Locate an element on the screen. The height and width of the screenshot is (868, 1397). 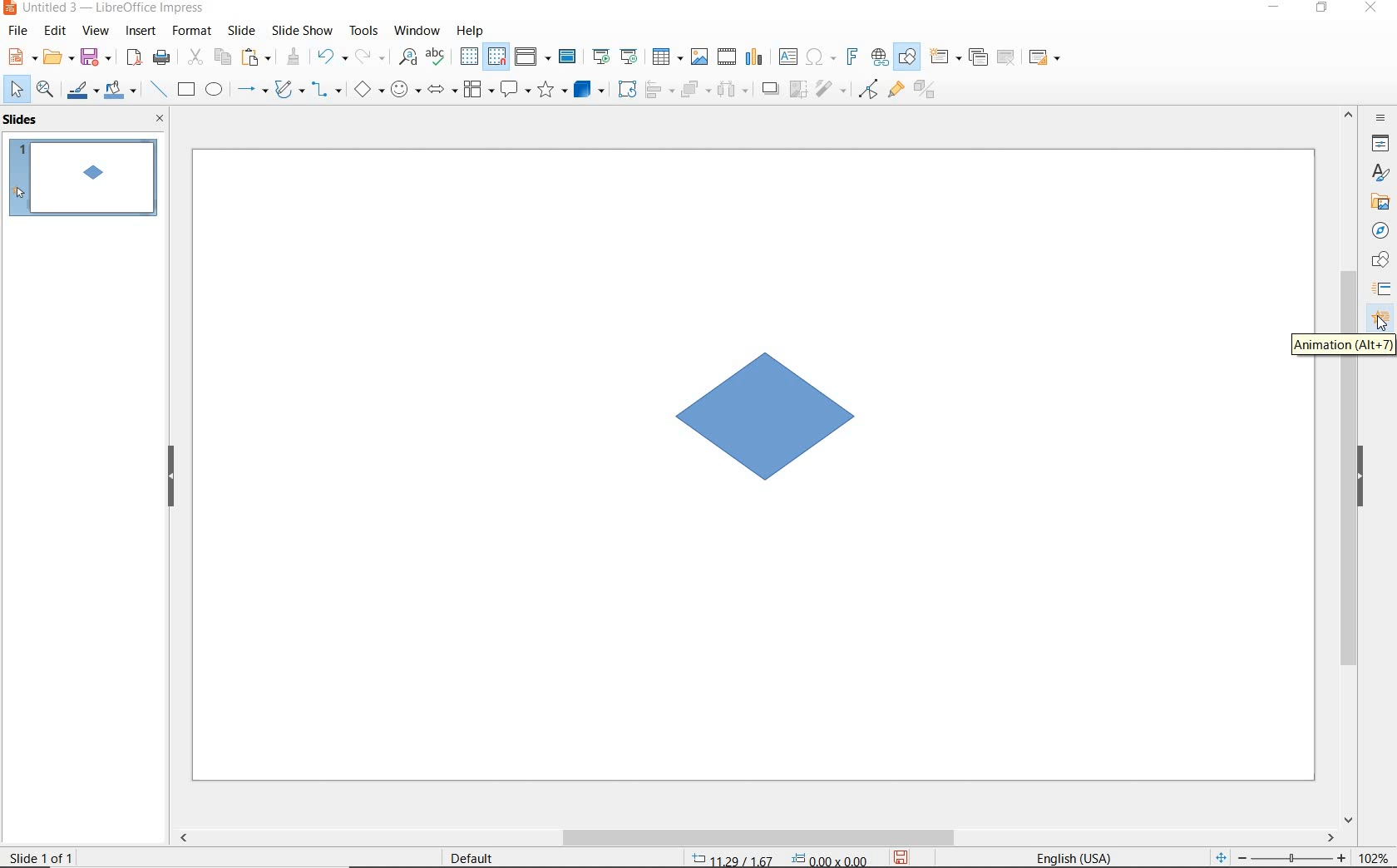
animation is located at coordinates (1342, 343).